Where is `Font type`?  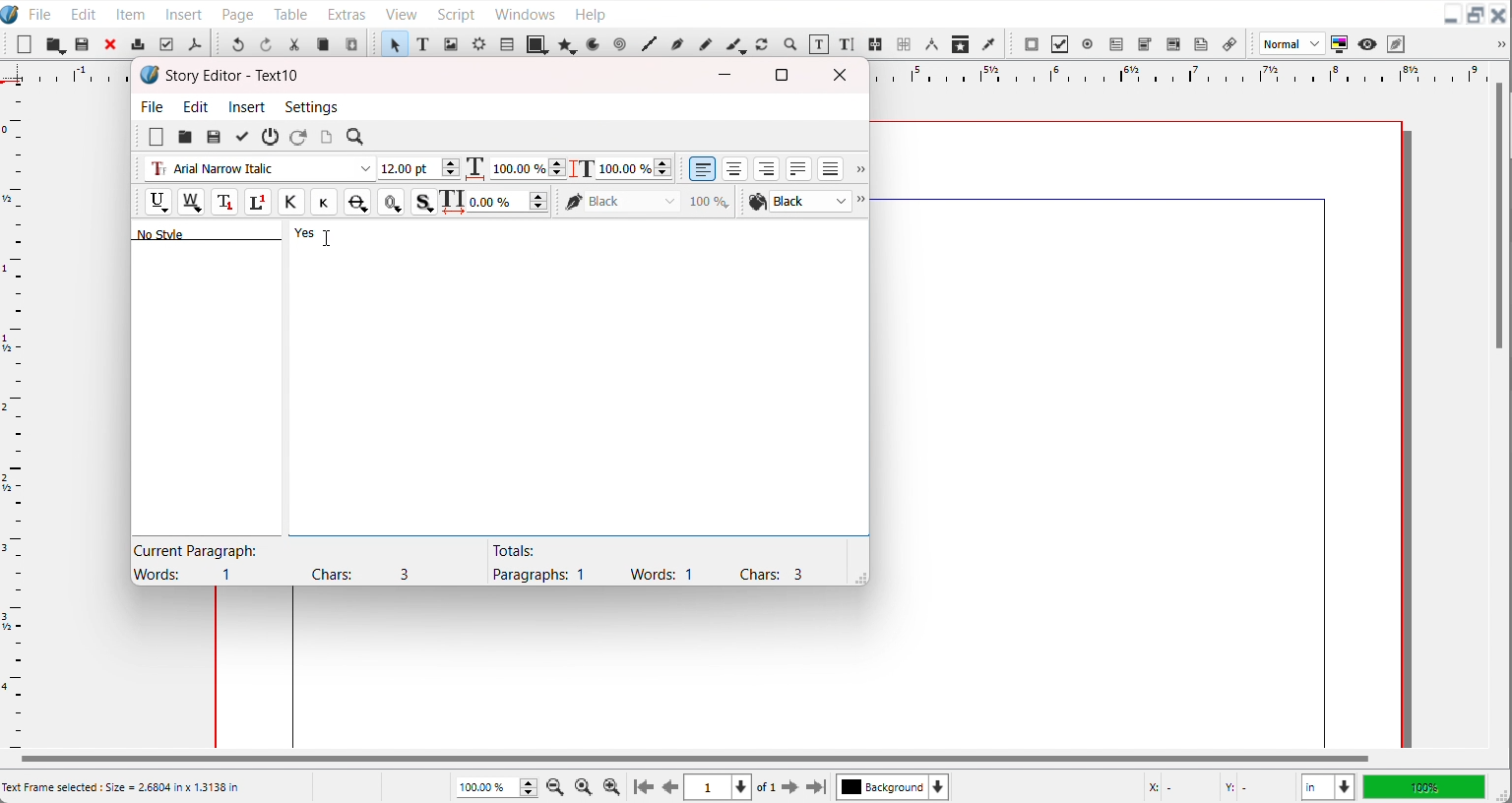 Font type is located at coordinates (258, 169).